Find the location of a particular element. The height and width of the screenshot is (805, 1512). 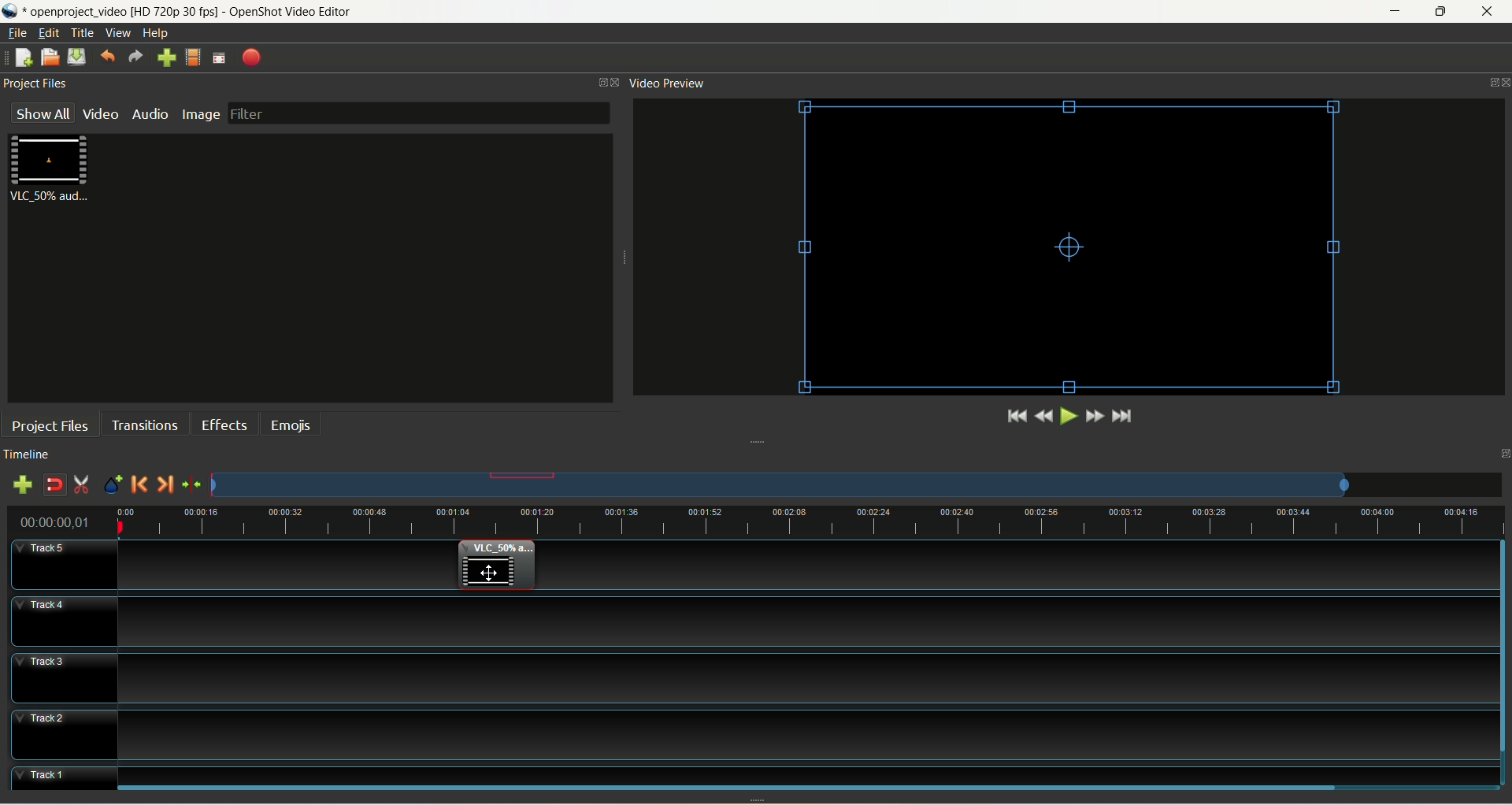

transition is located at coordinates (143, 424).